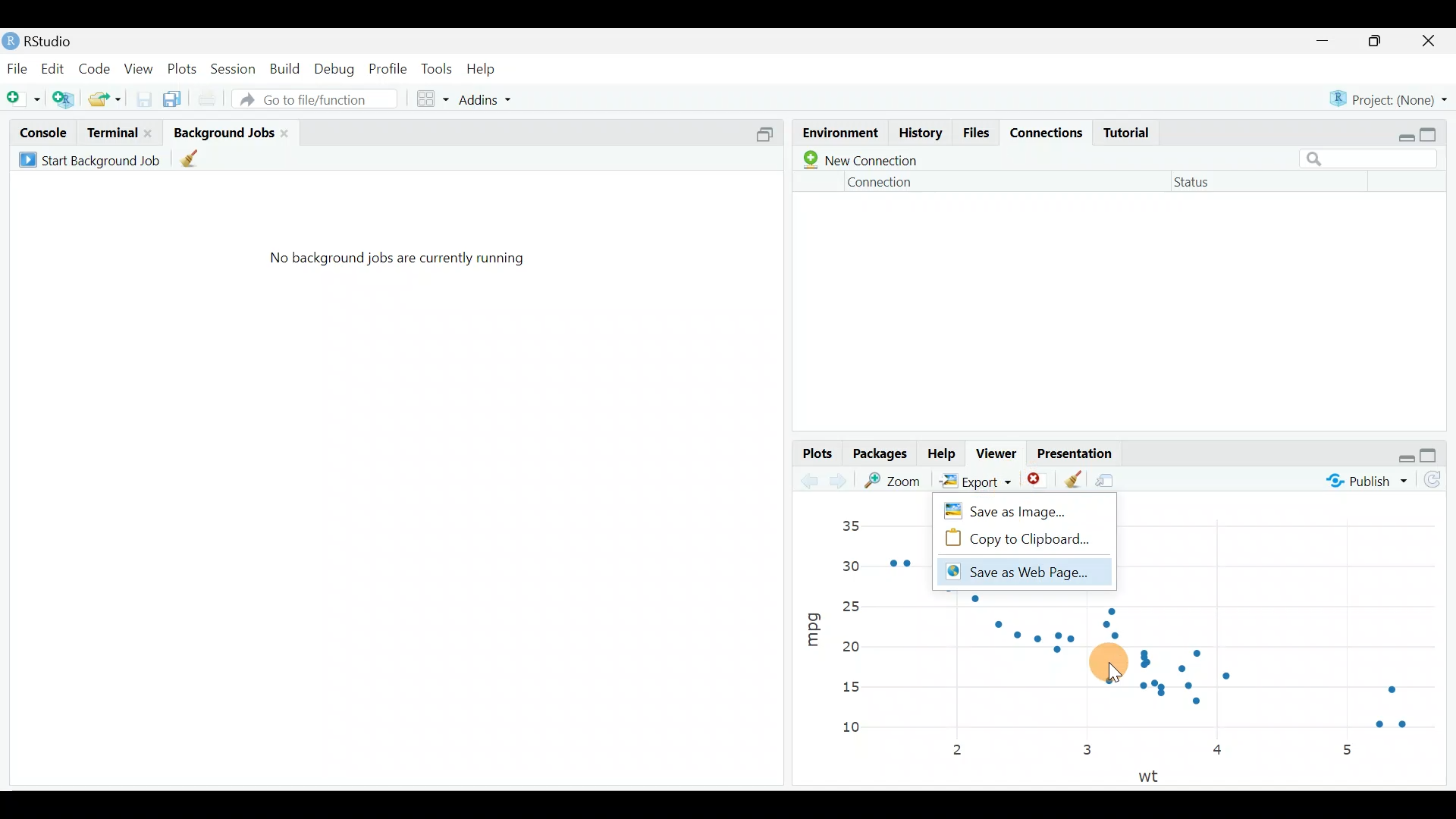  Describe the element at coordinates (852, 564) in the screenshot. I see `30` at that location.